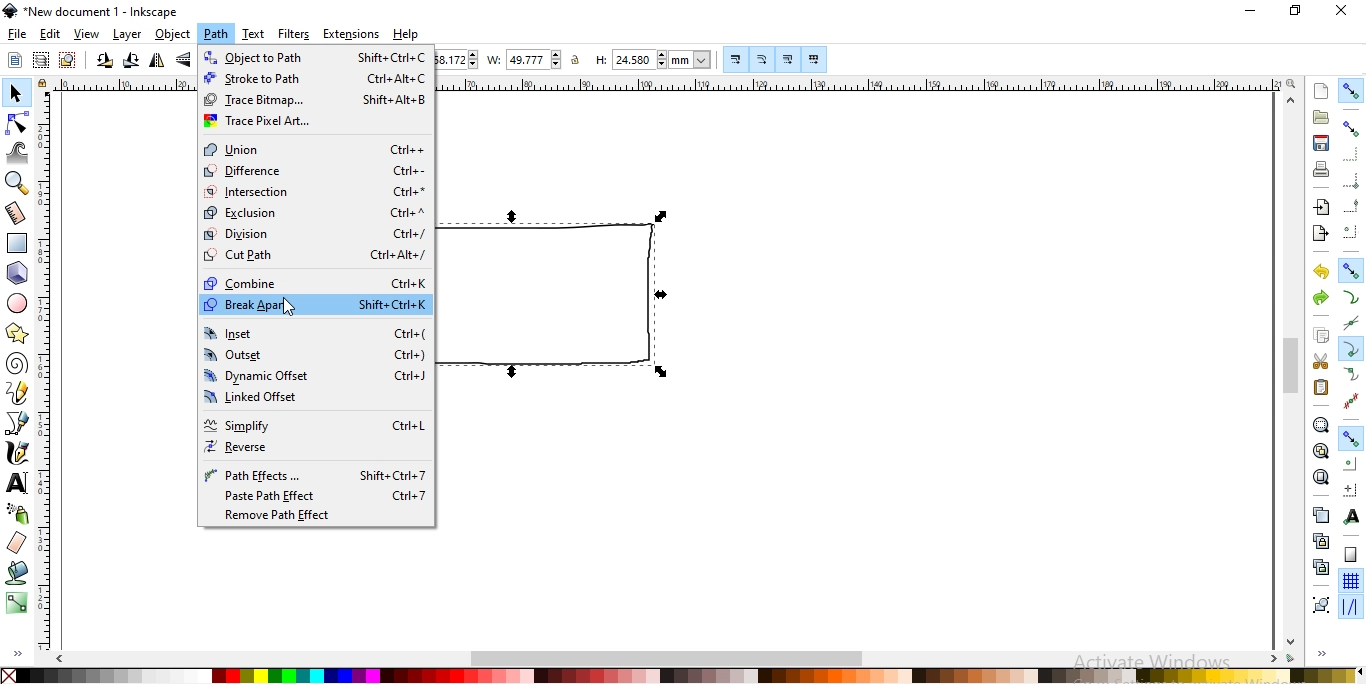  What do you see at coordinates (1251, 12) in the screenshot?
I see `minimize` at bounding box center [1251, 12].